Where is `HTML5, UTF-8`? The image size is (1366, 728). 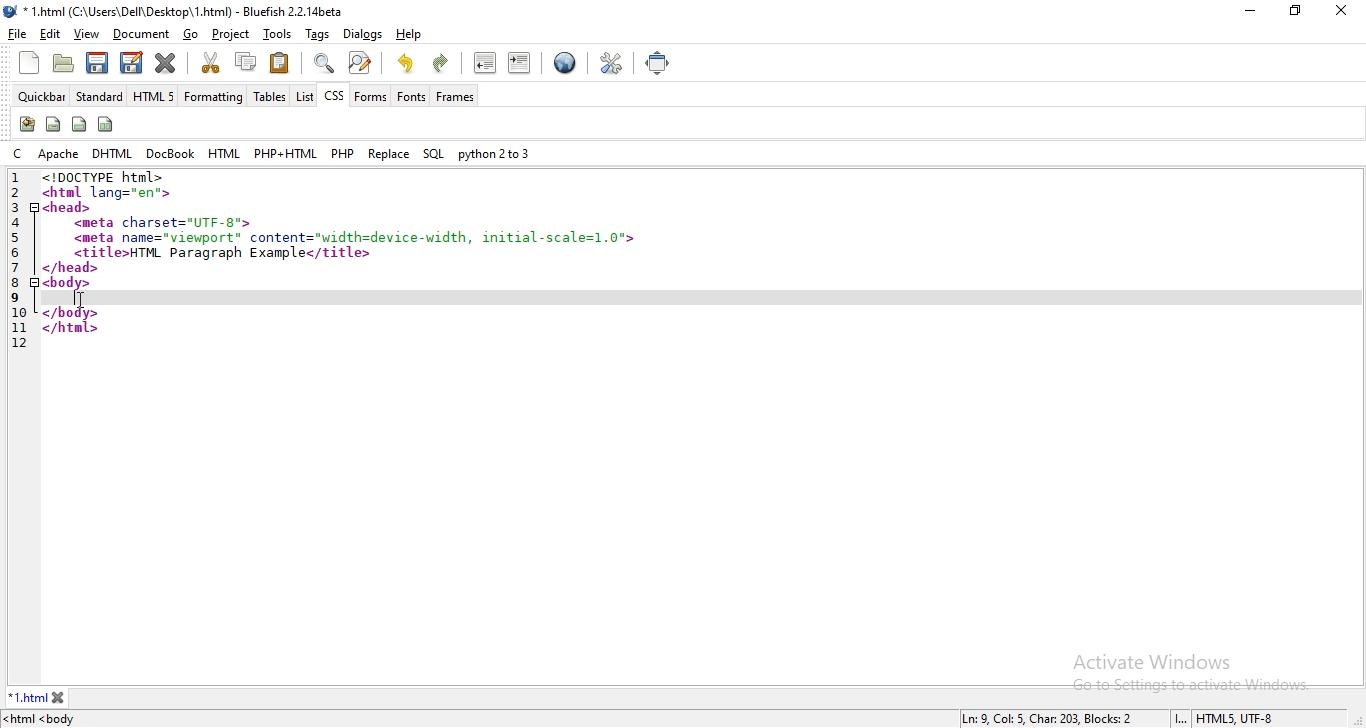
HTML5, UTF-8 is located at coordinates (1237, 719).